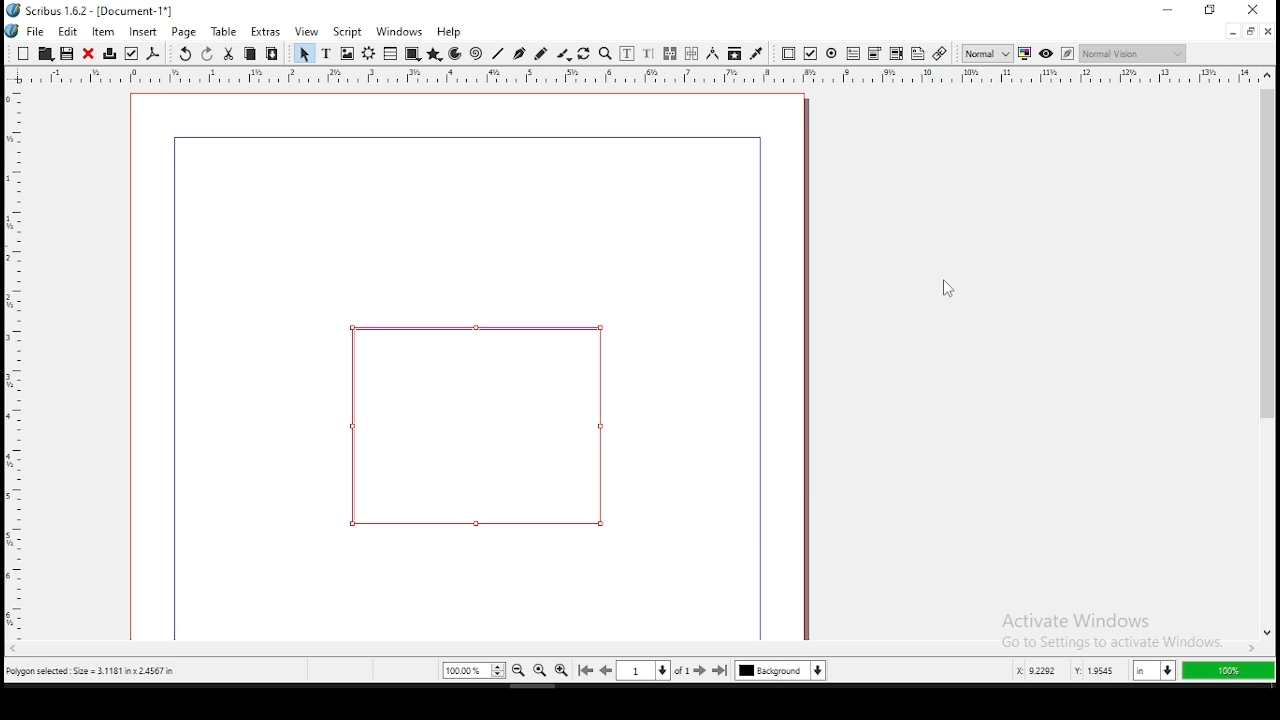 The height and width of the screenshot is (720, 1280). What do you see at coordinates (584, 54) in the screenshot?
I see `rotate item` at bounding box center [584, 54].